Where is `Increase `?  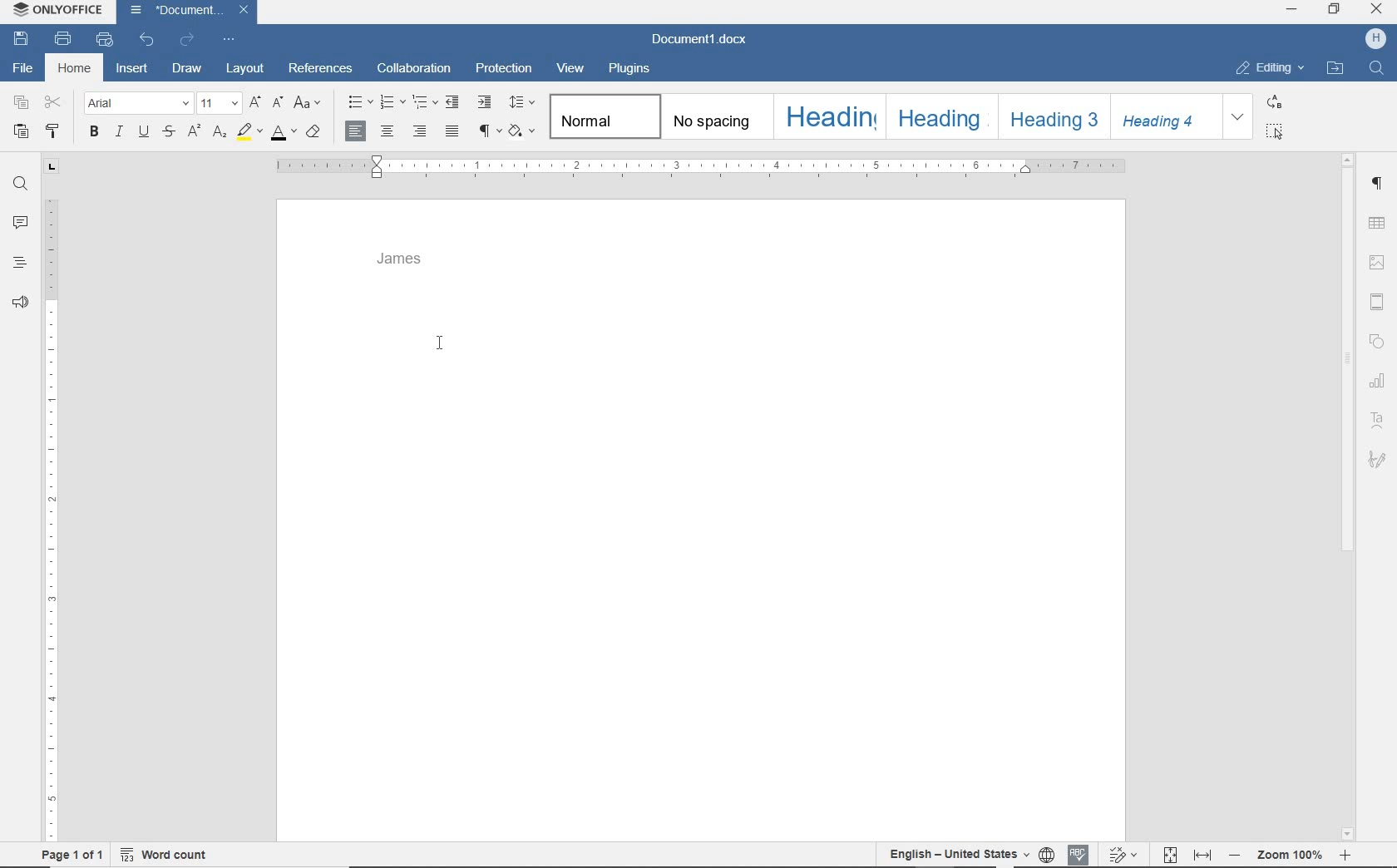
Increase  is located at coordinates (1345, 855).